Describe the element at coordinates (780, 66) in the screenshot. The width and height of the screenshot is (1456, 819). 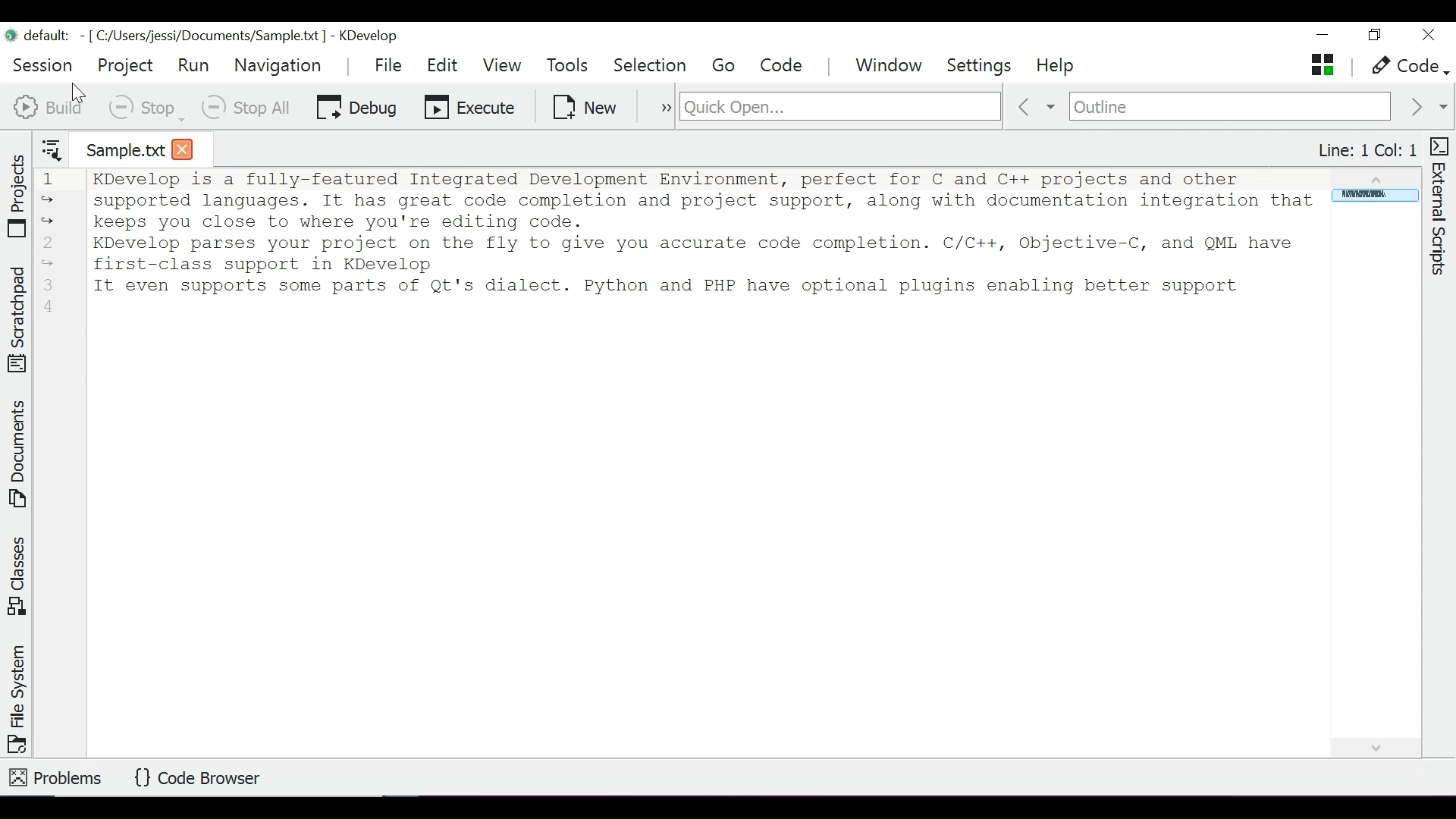
I see `Code` at that location.